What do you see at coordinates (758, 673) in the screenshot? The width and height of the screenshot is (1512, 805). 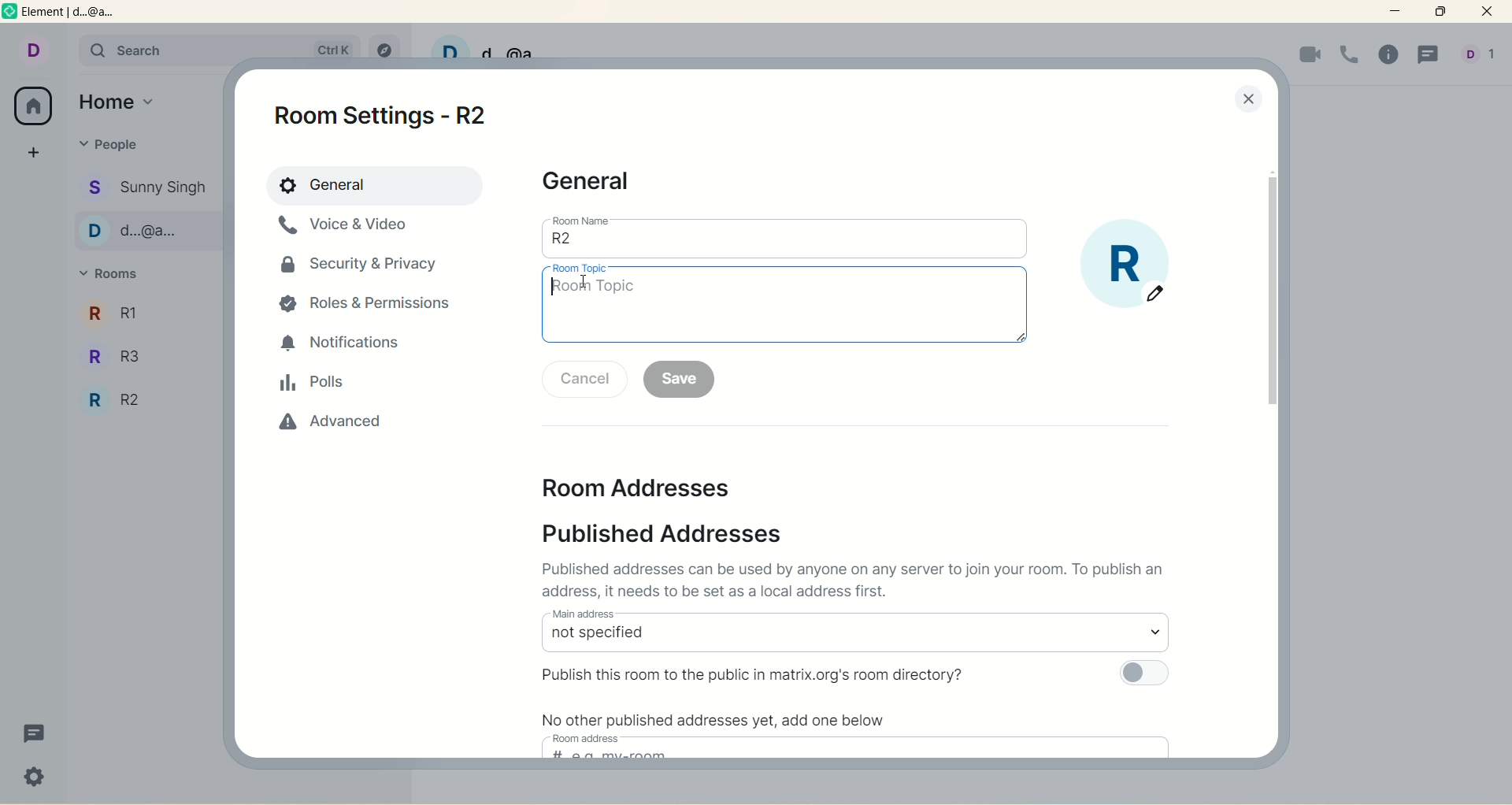 I see `publish room to public` at bounding box center [758, 673].